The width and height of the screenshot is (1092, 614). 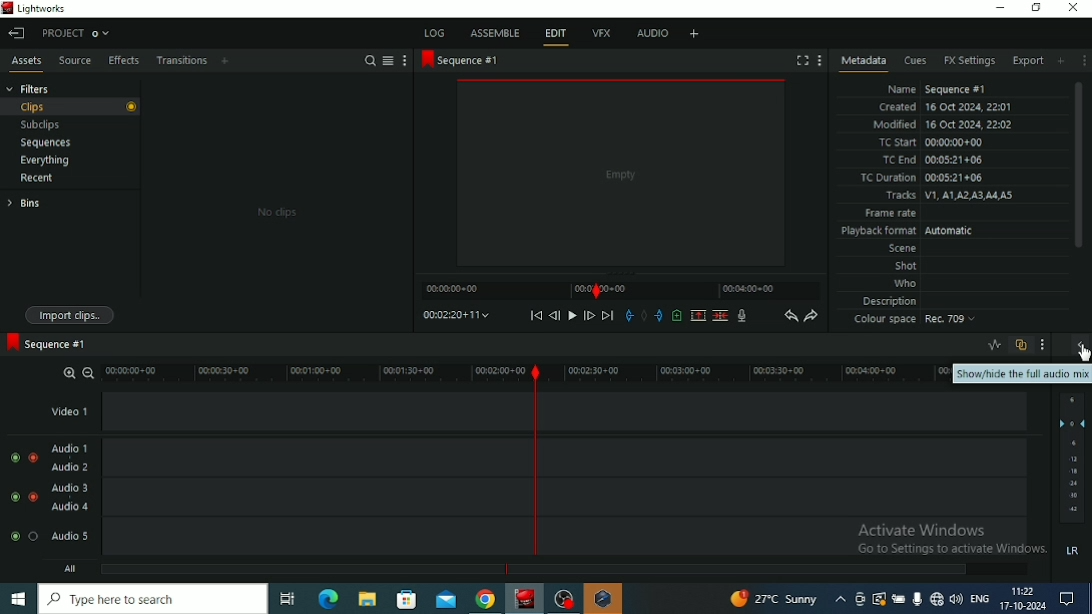 What do you see at coordinates (1028, 61) in the screenshot?
I see `Export` at bounding box center [1028, 61].